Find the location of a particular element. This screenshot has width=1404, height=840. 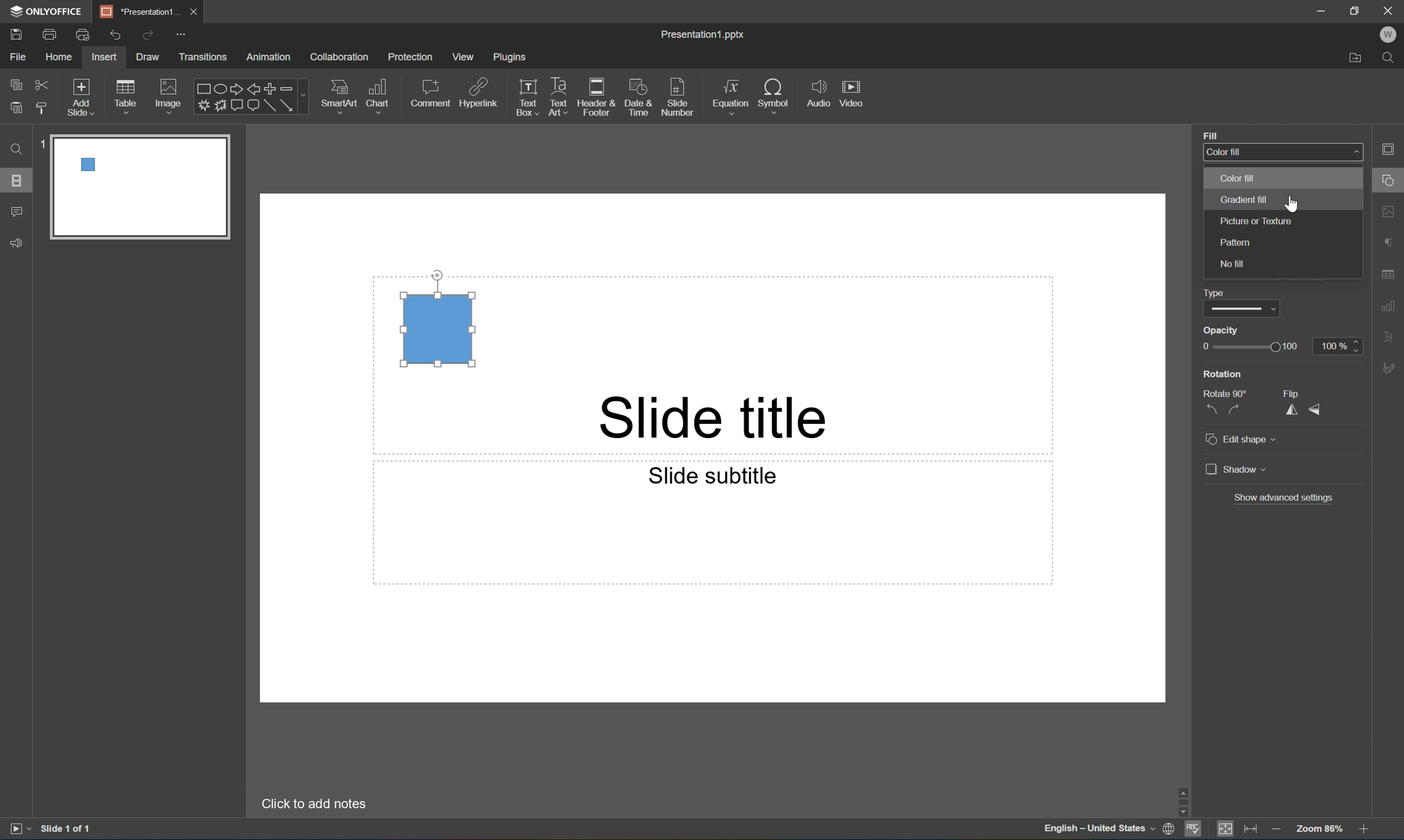

Signature settings is located at coordinates (1391, 368).